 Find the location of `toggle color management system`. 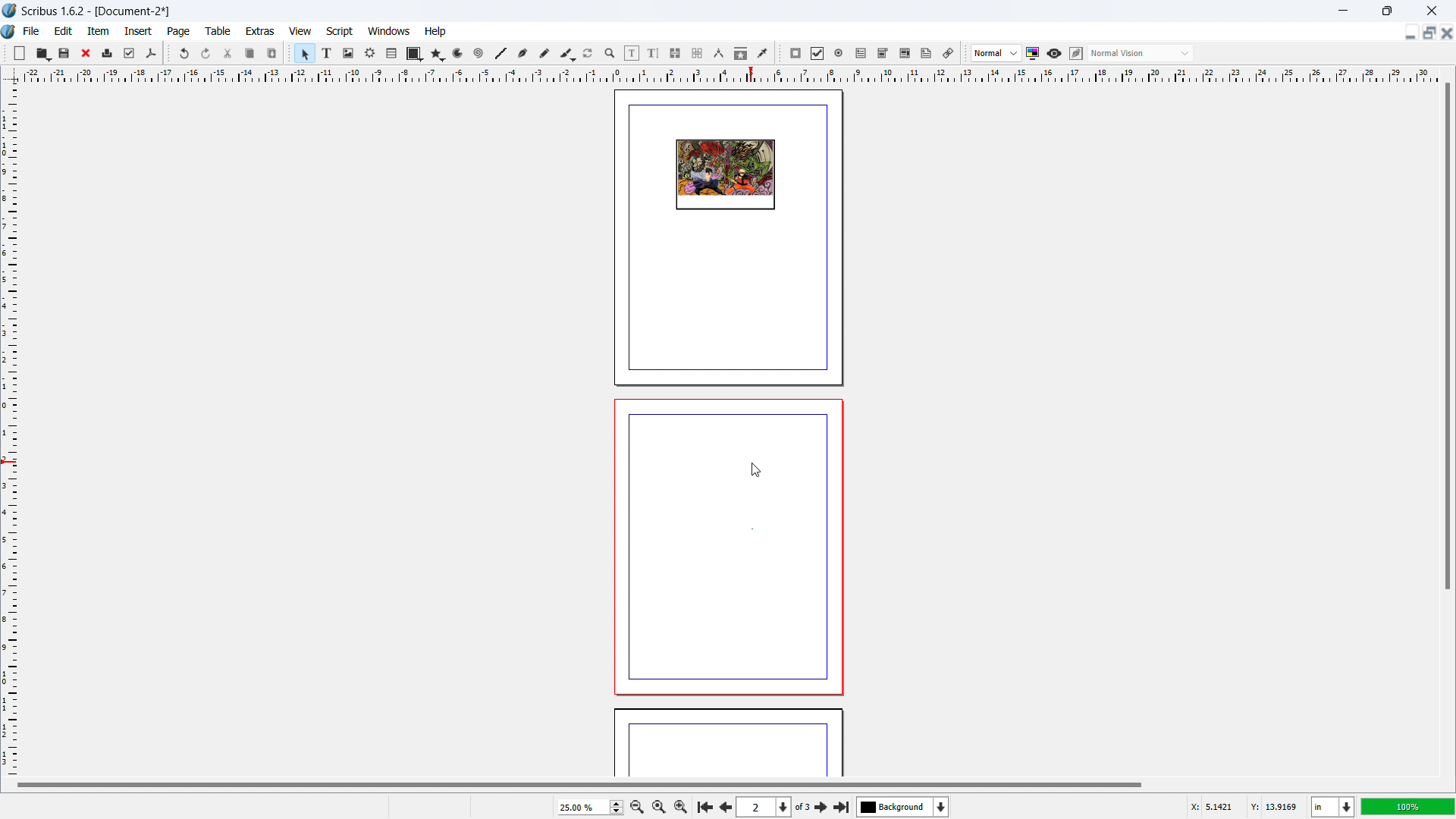

toggle color management system is located at coordinates (1034, 53).